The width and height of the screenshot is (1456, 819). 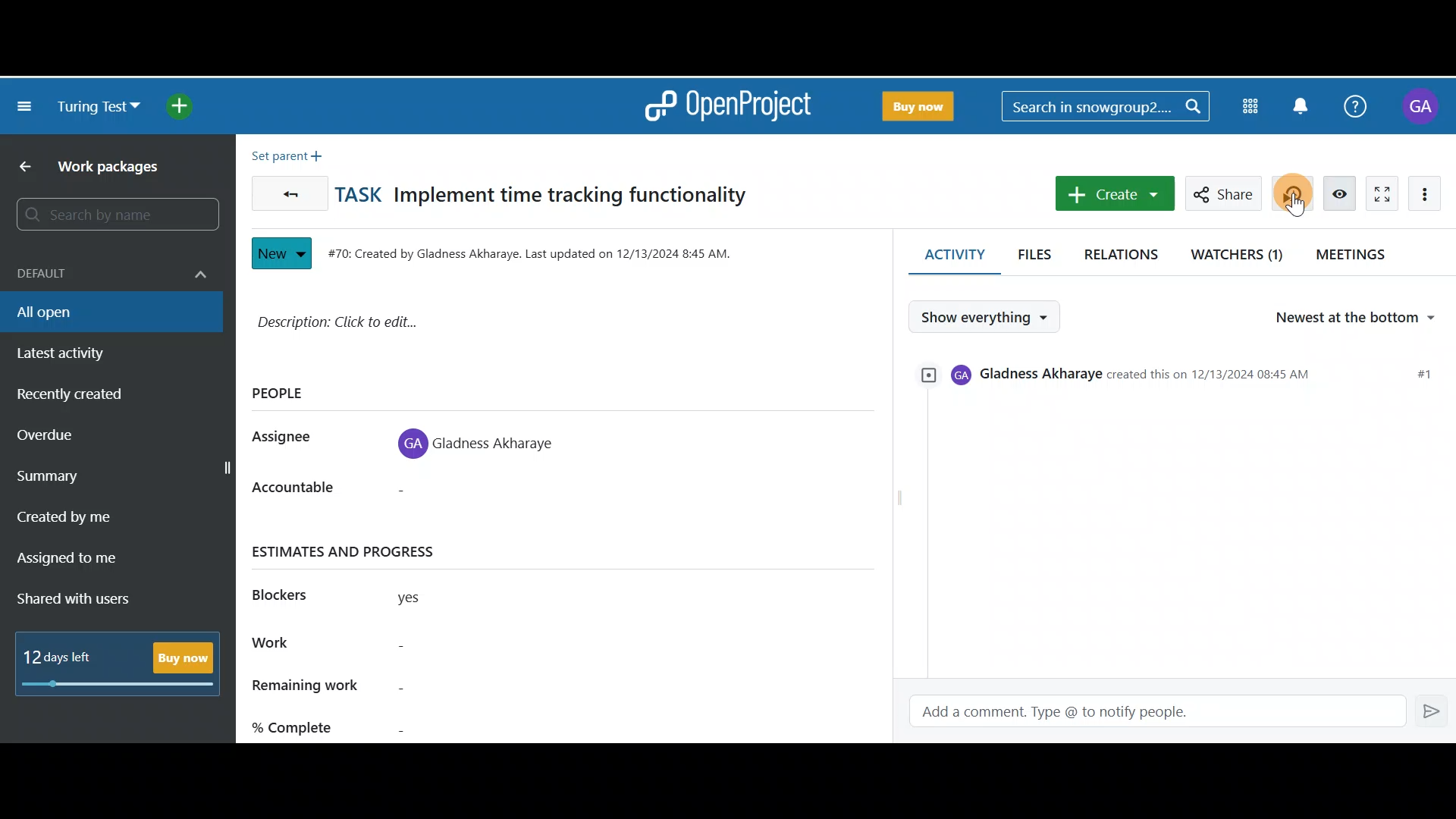 What do you see at coordinates (1429, 192) in the screenshot?
I see `More` at bounding box center [1429, 192].